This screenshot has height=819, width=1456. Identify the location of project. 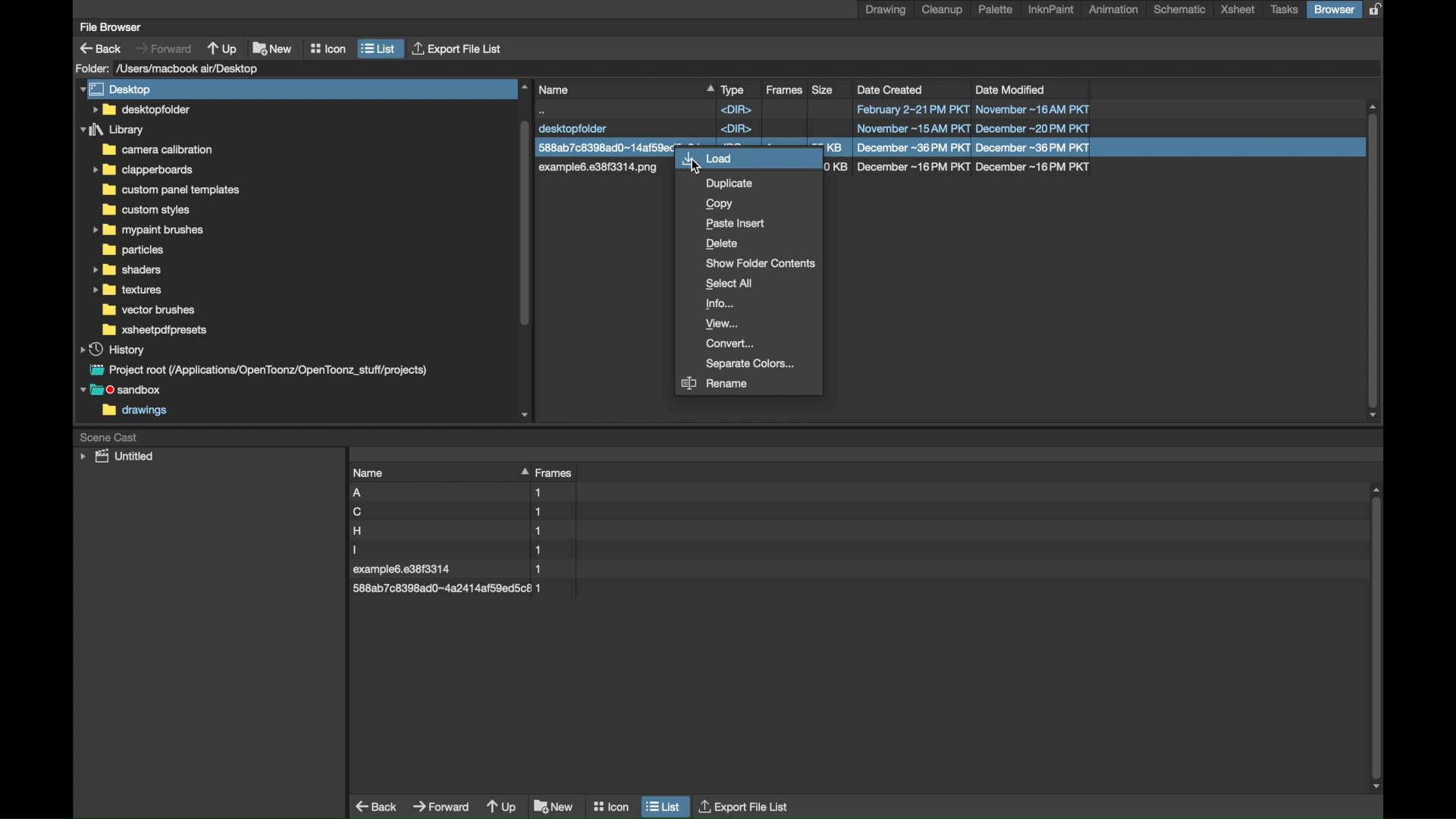
(256, 370).